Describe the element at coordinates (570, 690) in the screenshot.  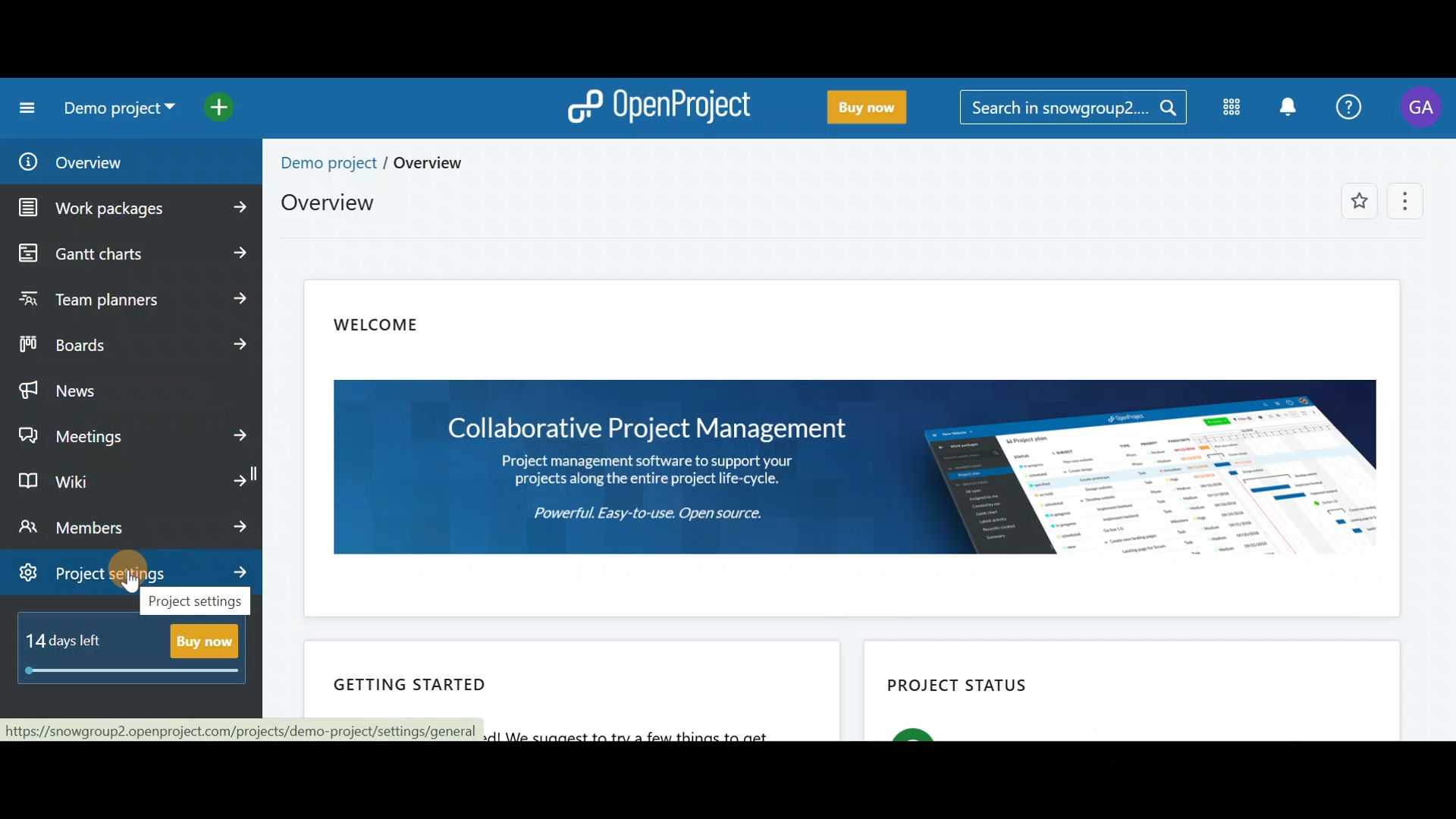
I see `Getting started` at that location.